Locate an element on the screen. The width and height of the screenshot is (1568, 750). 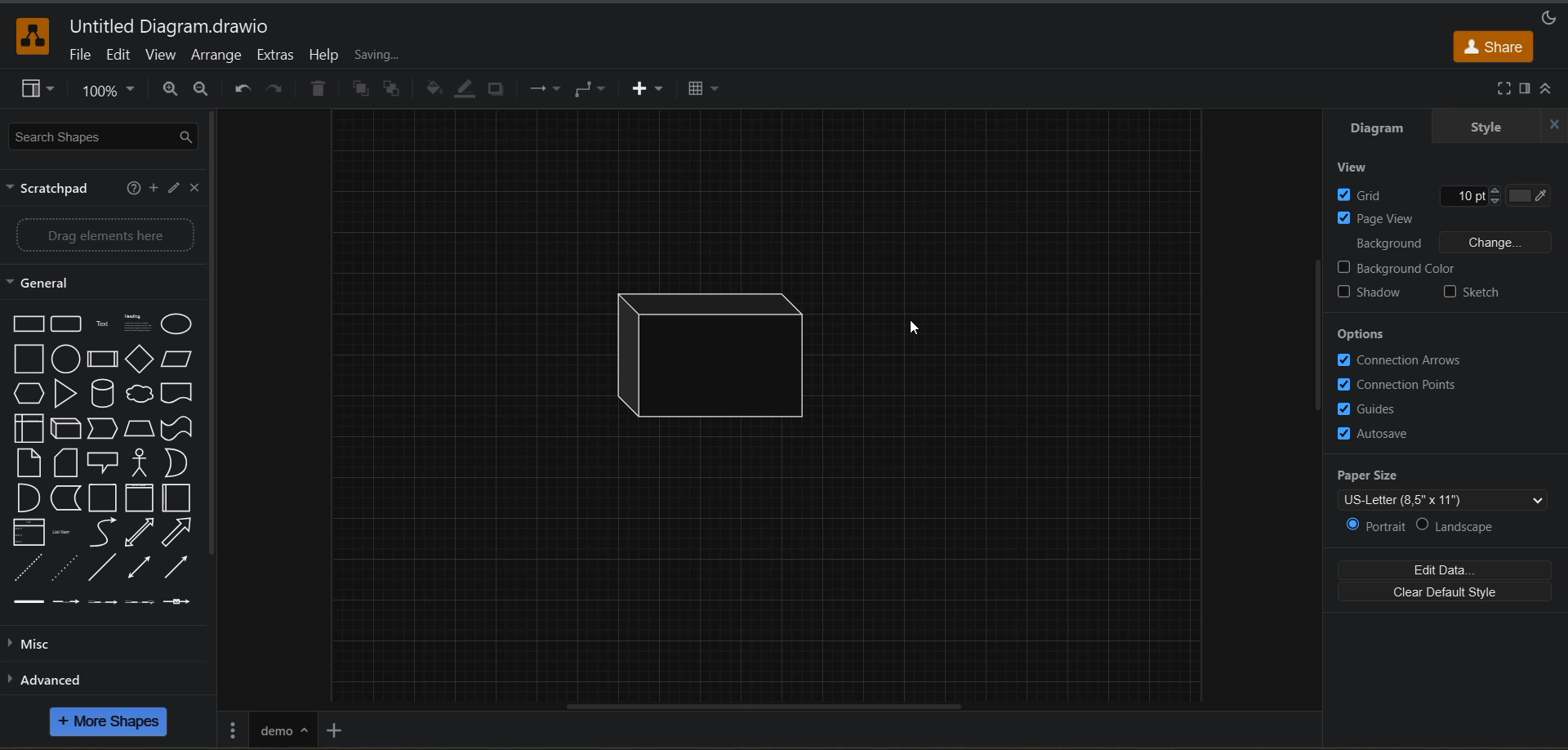
extras is located at coordinates (282, 55).